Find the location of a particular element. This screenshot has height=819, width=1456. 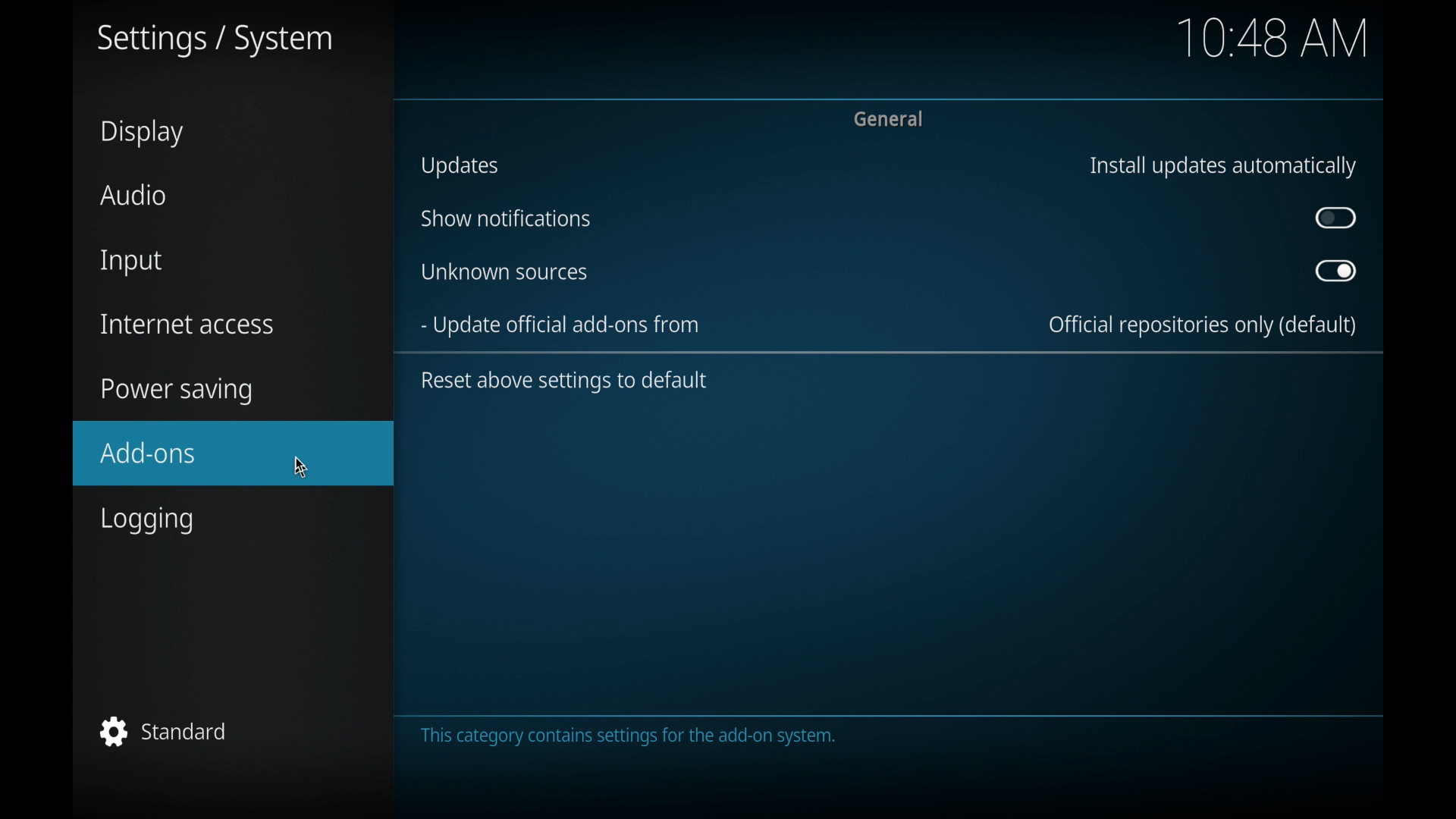

display is located at coordinates (143, 133).